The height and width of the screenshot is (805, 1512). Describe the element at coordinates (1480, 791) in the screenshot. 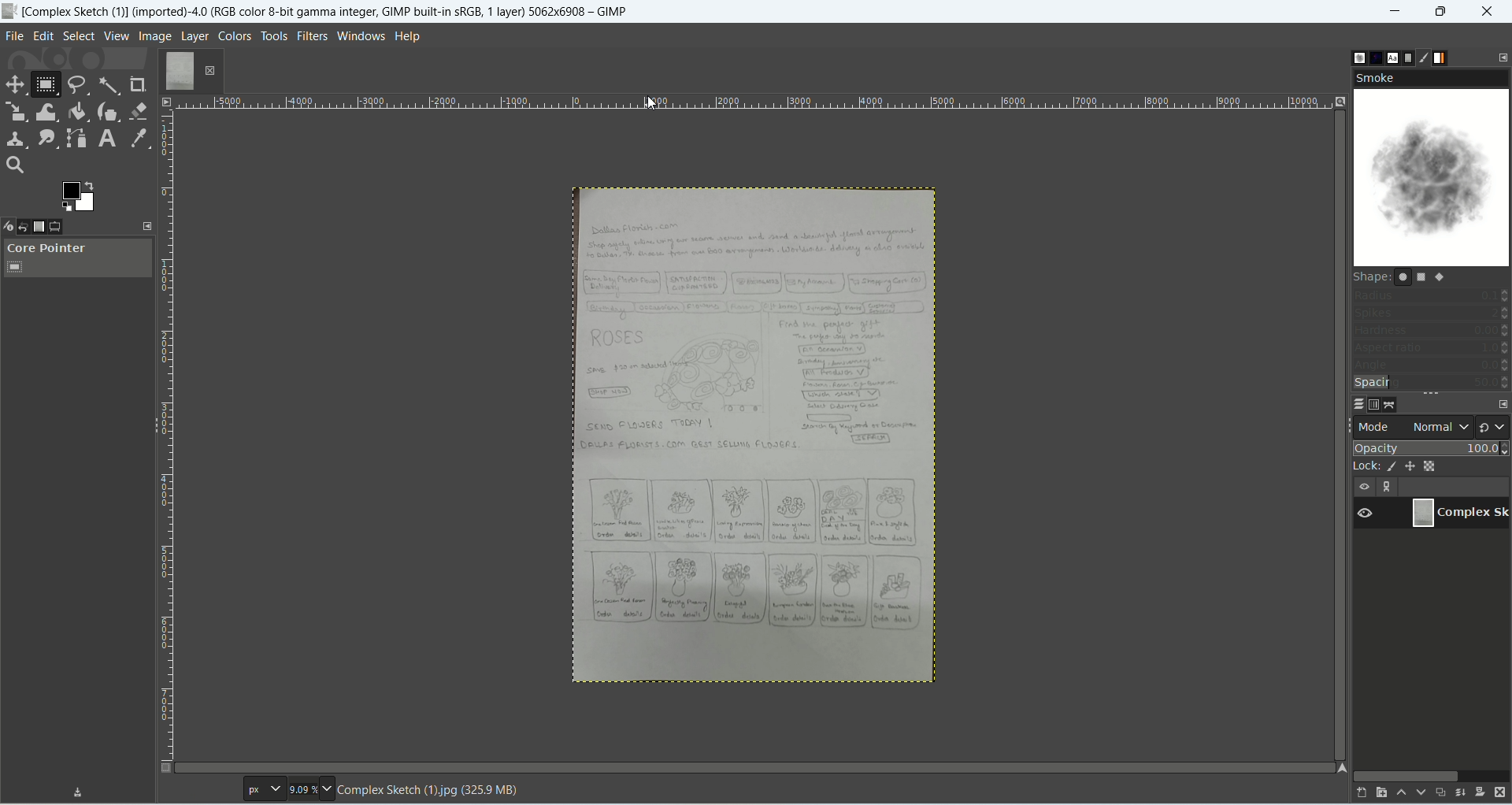

I see `add a mask` at that location.